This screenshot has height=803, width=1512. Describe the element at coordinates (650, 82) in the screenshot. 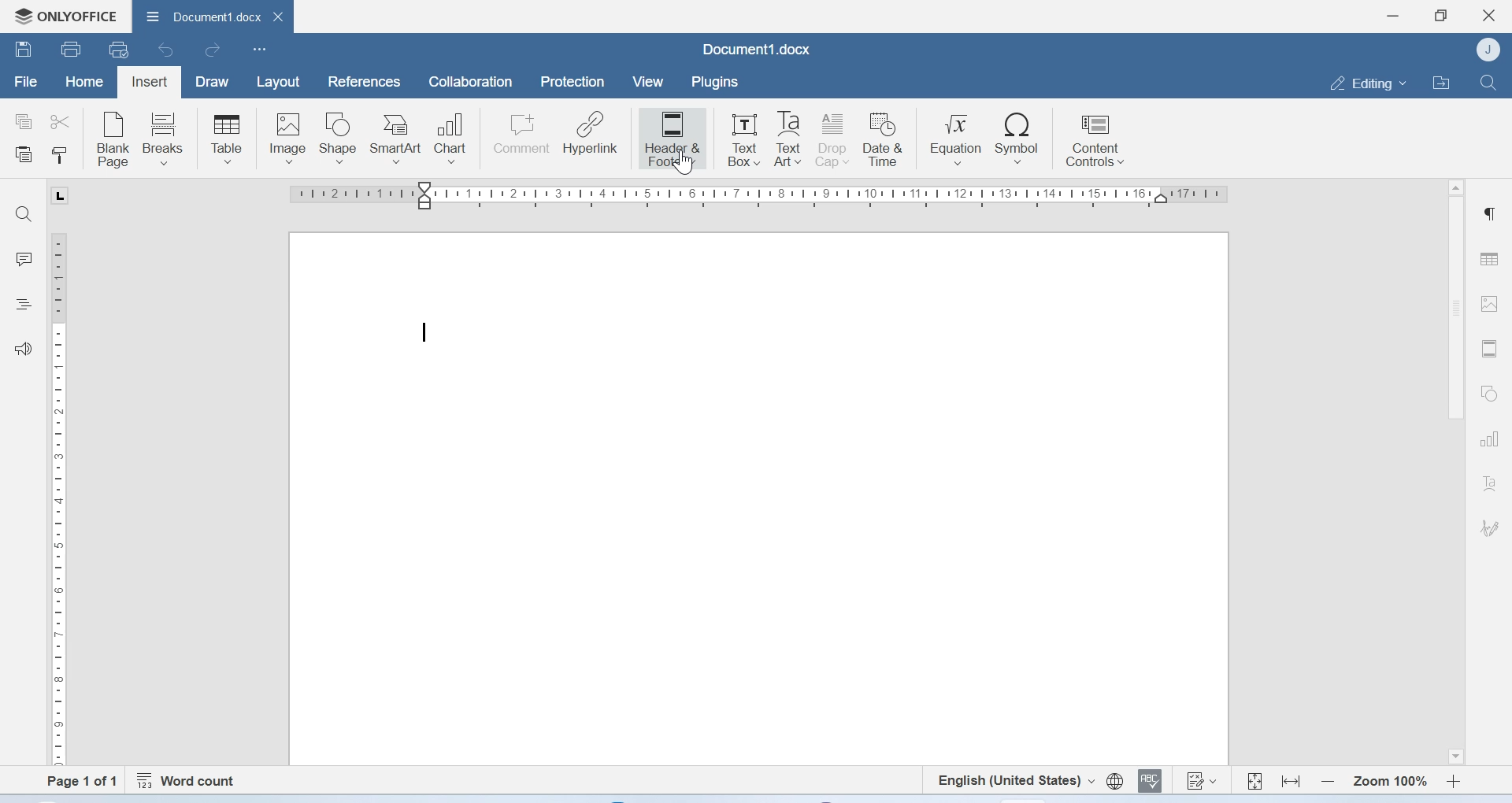

I see `View` at that location.